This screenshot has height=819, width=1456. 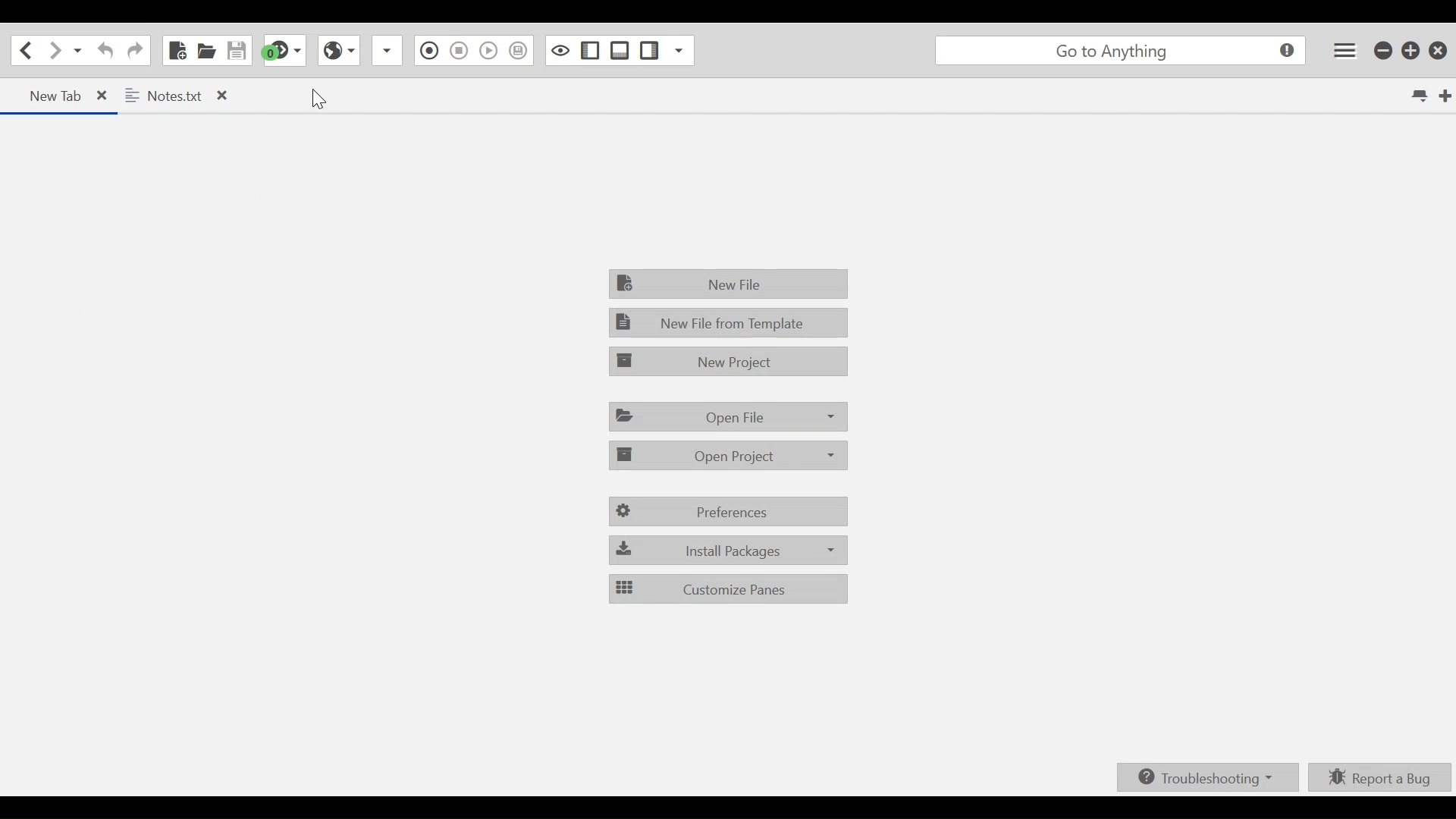 What do you see at coordinates (238, 50) in the screenshot?
I see `Save File` at bounding box center [238, 50].